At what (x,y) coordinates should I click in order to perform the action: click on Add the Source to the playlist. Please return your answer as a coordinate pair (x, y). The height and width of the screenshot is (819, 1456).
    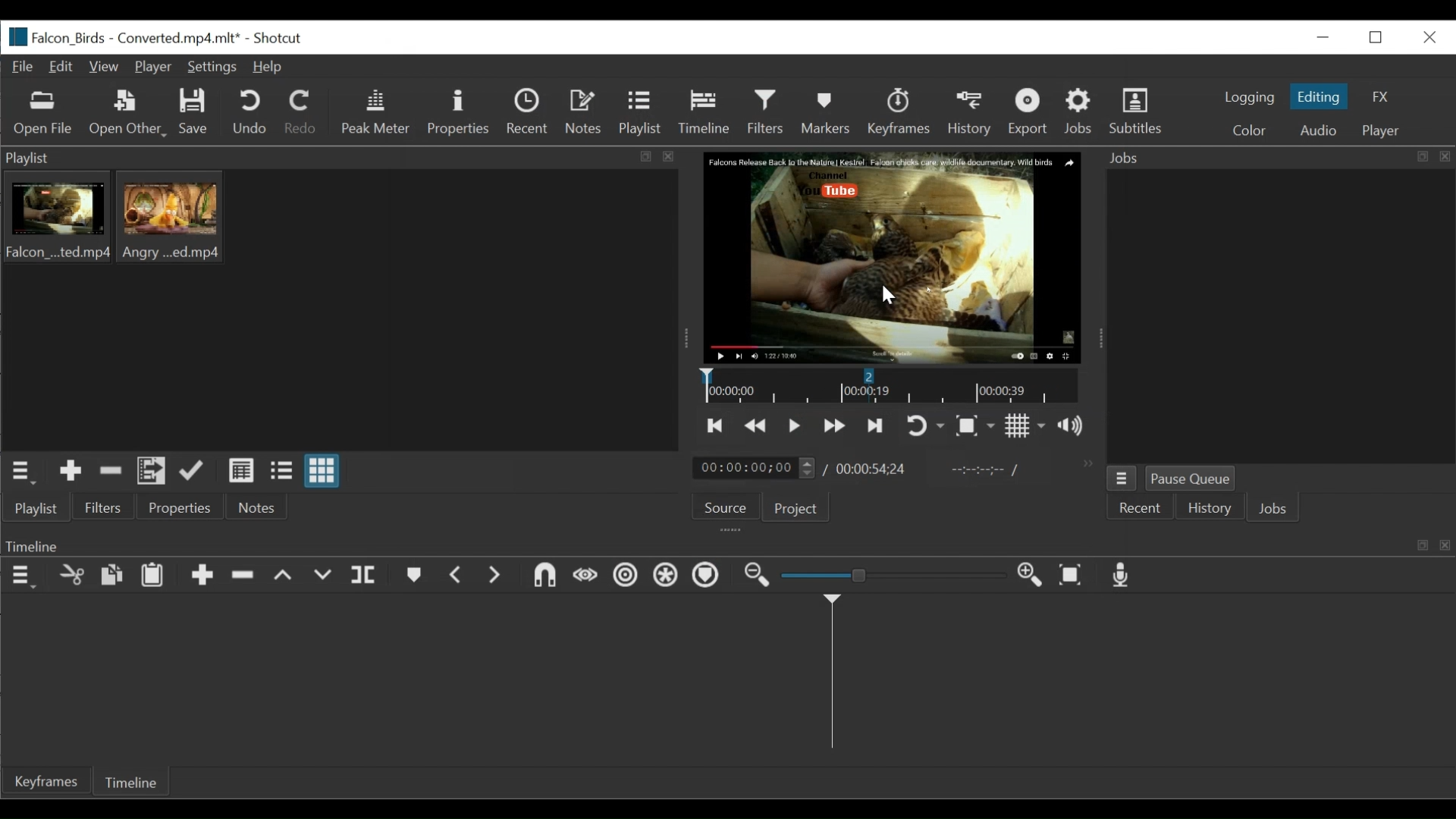
    Looking at the image, I should click on (71, 472).